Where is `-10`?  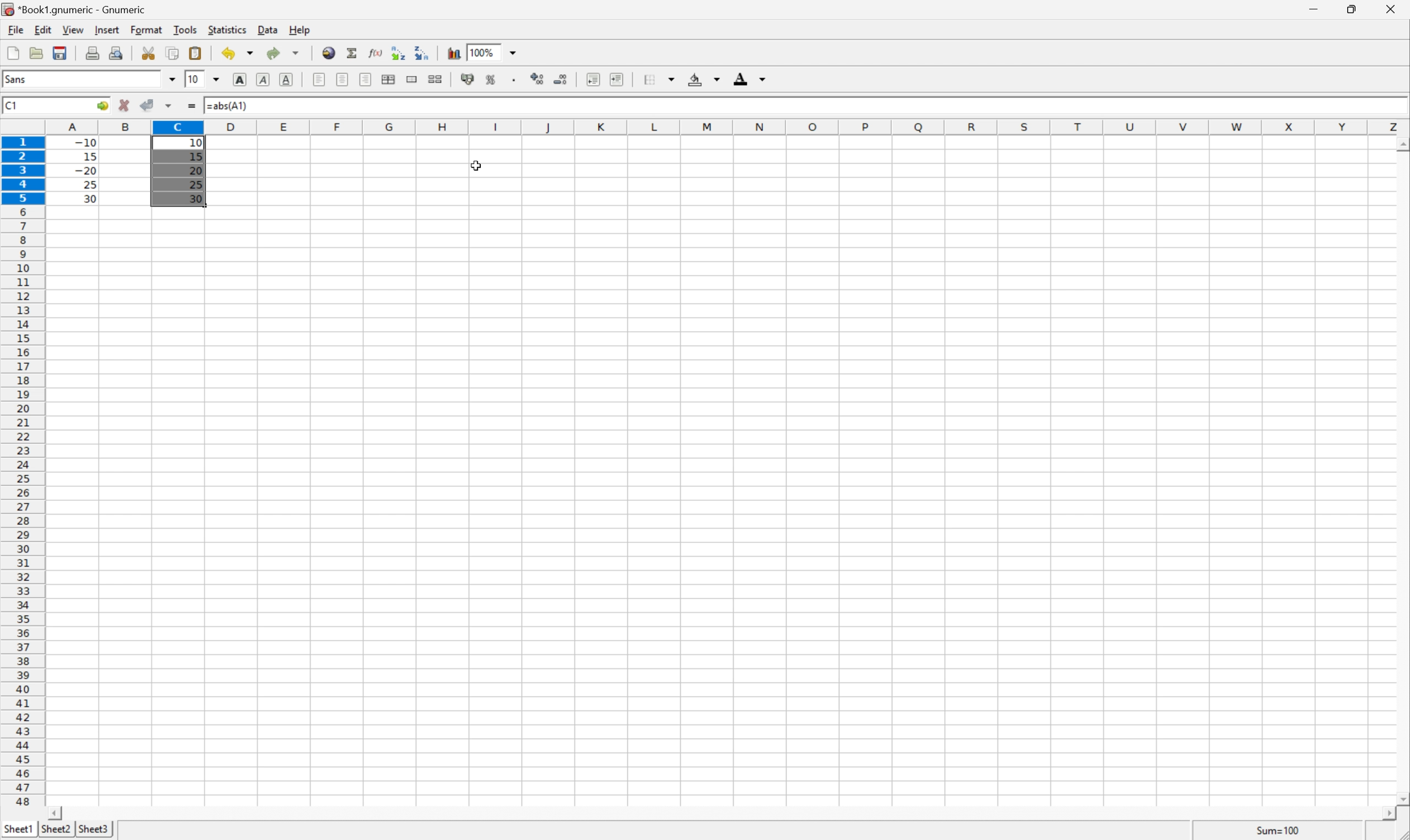 -10 is located at coordinates (86, 141).